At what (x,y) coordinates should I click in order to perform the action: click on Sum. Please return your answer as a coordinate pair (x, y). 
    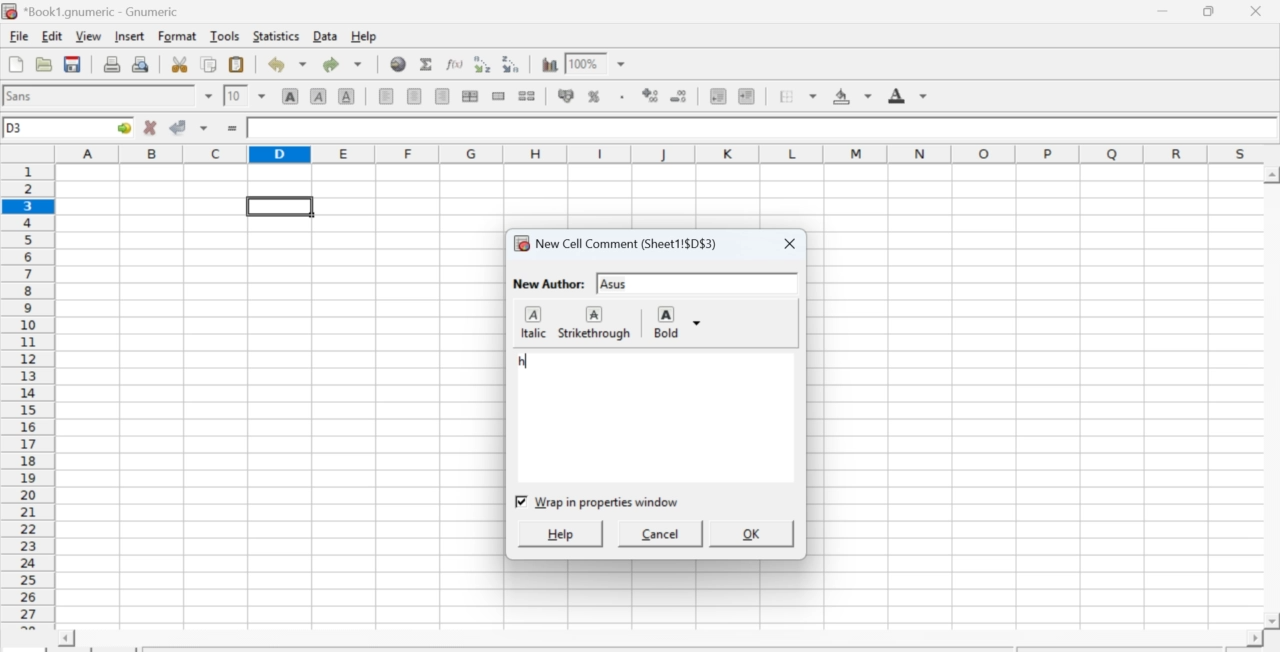
    Looking at the image, I should click on (428, 65).